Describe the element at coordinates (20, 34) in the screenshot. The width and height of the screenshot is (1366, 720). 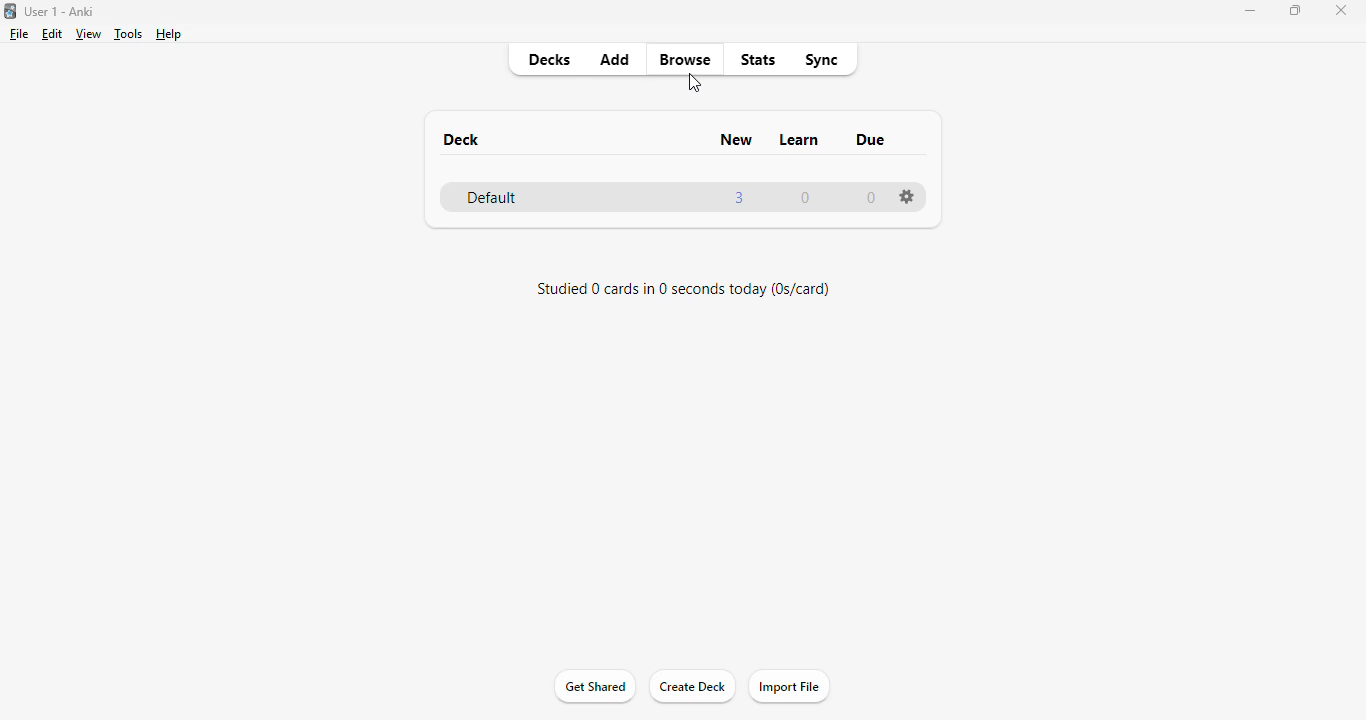
I see `file` at that location.